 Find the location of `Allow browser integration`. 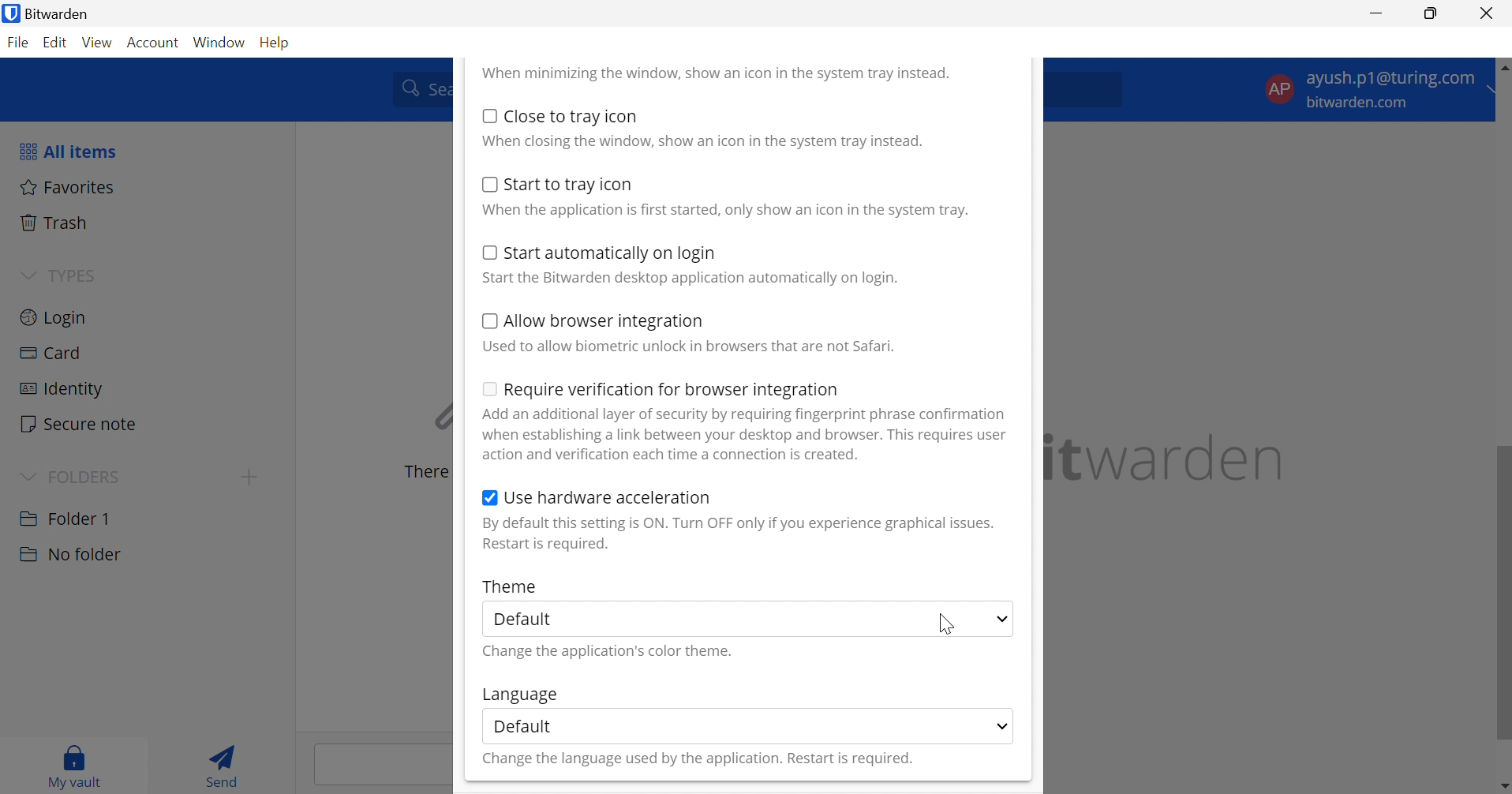

Allow browser integration is located at coordinates (605, 323).